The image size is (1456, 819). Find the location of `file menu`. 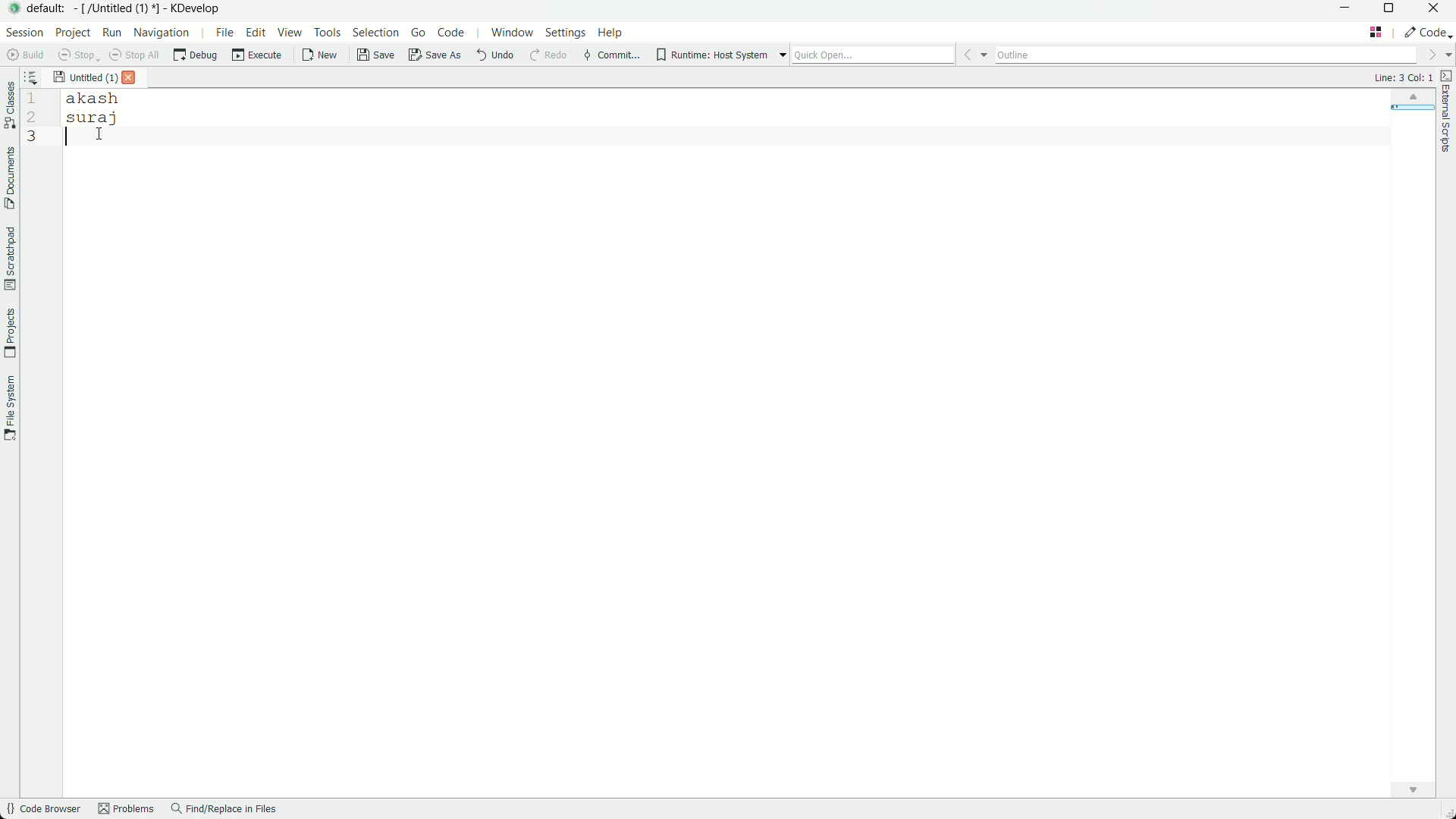

file menu is located at coordinates (224, 33).